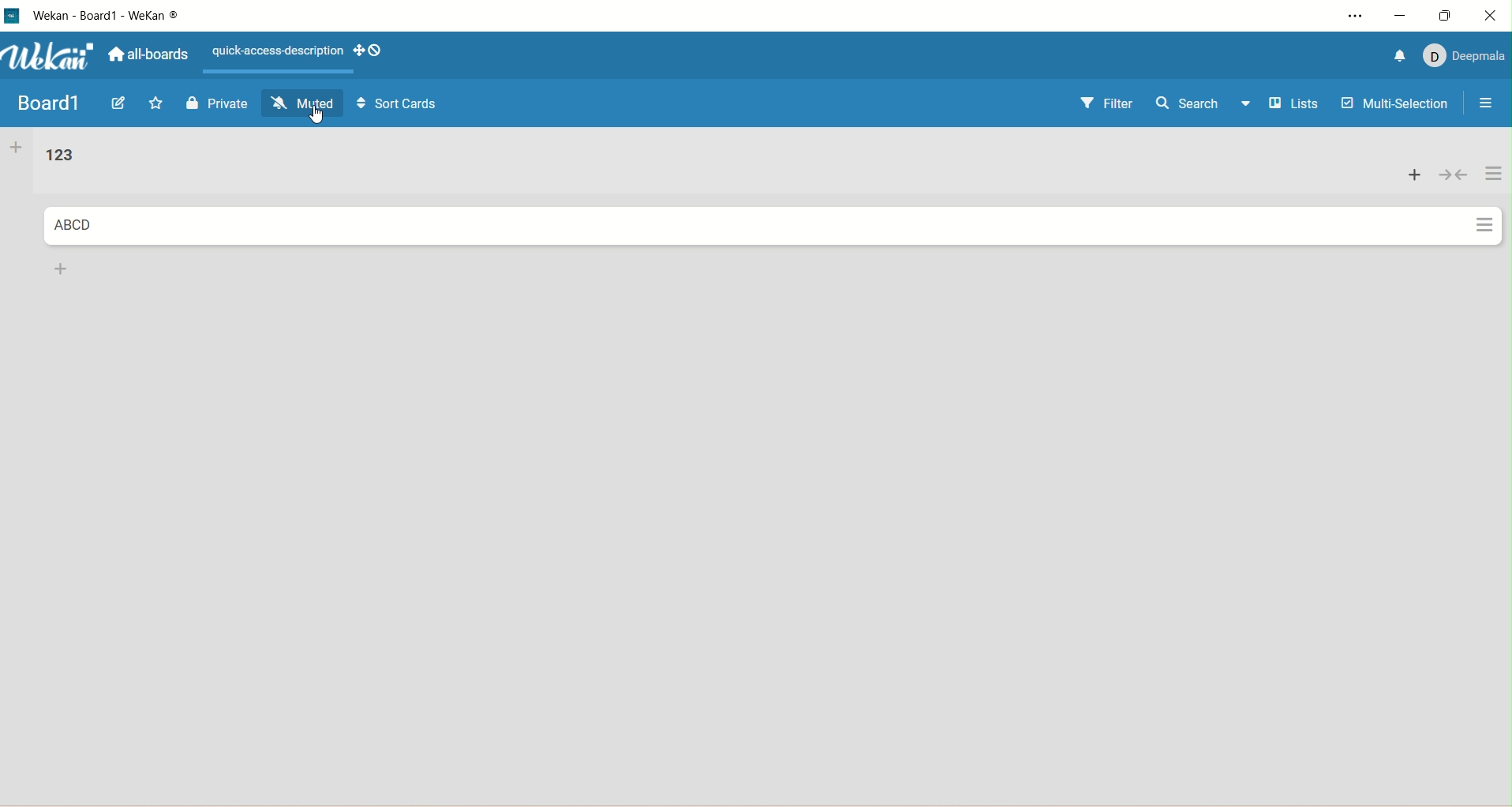 Image resolution: width=1512 pixels, height=807 pixels. Describe the element at coordinates (51, 56) in the screenshot. I see `wekan` at that location.